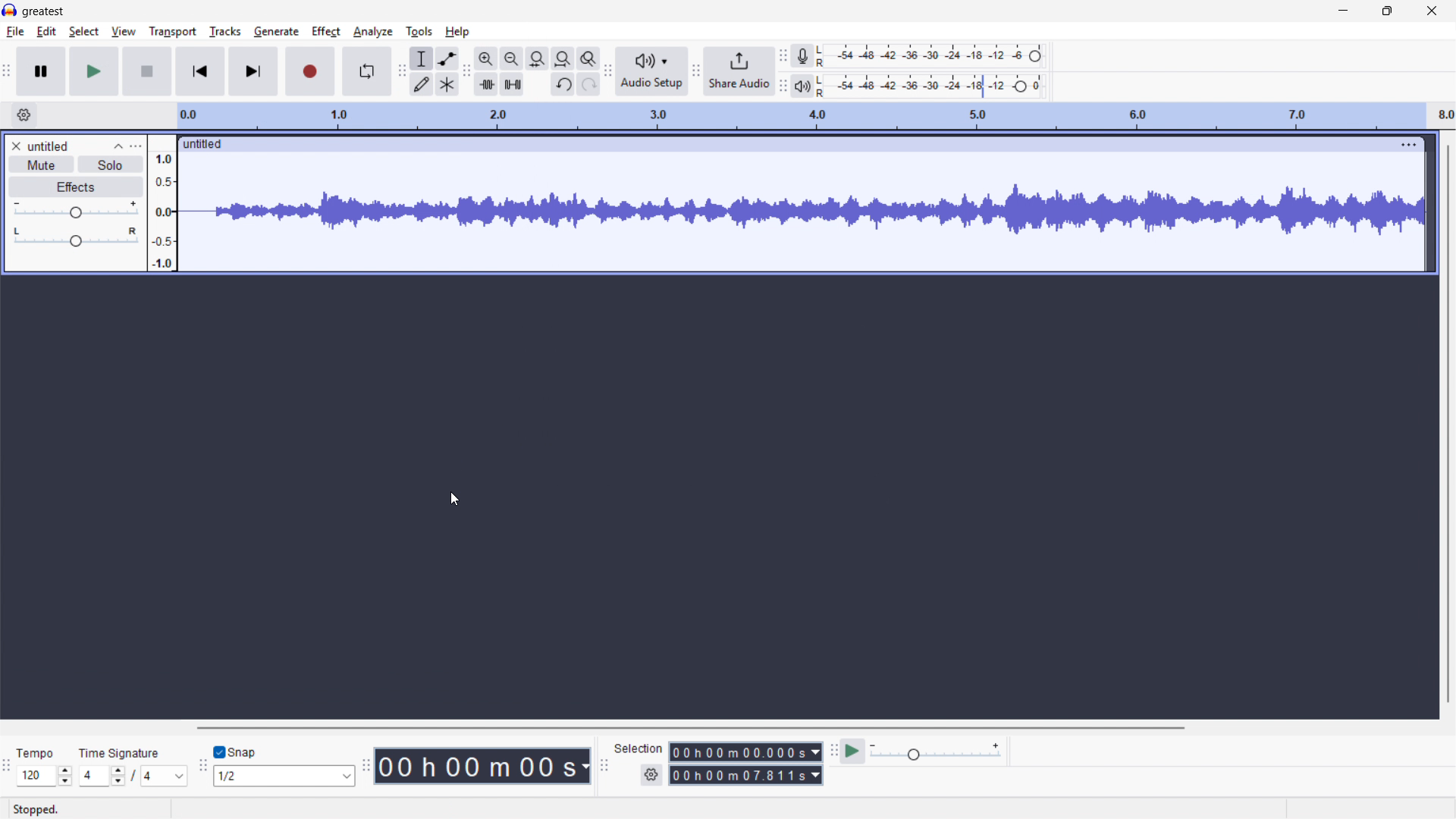  Describe the element at coordinates (1431, 11) in the screenshot. I see `close` at that location.